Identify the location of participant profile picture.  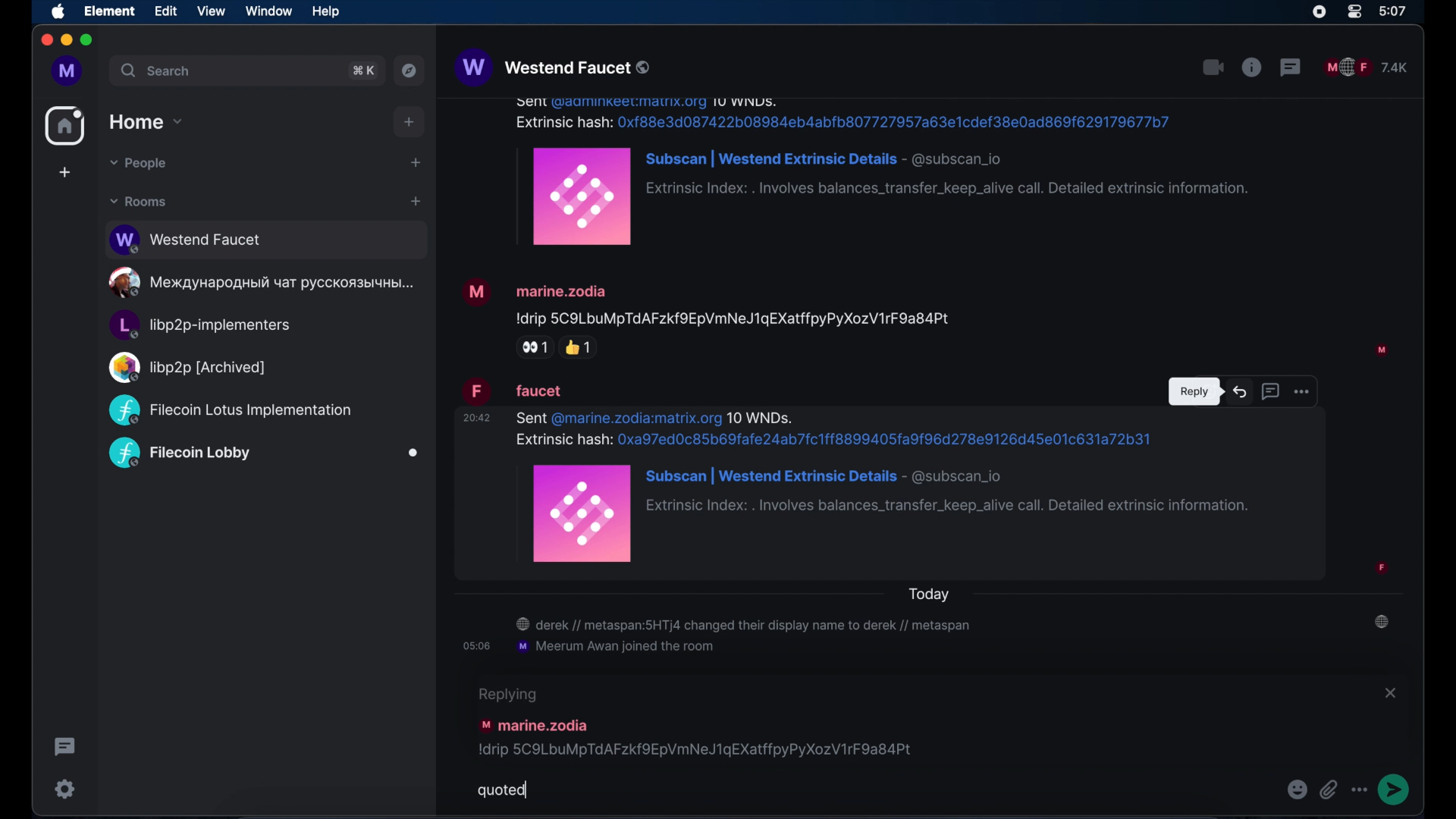
(1381, 122).